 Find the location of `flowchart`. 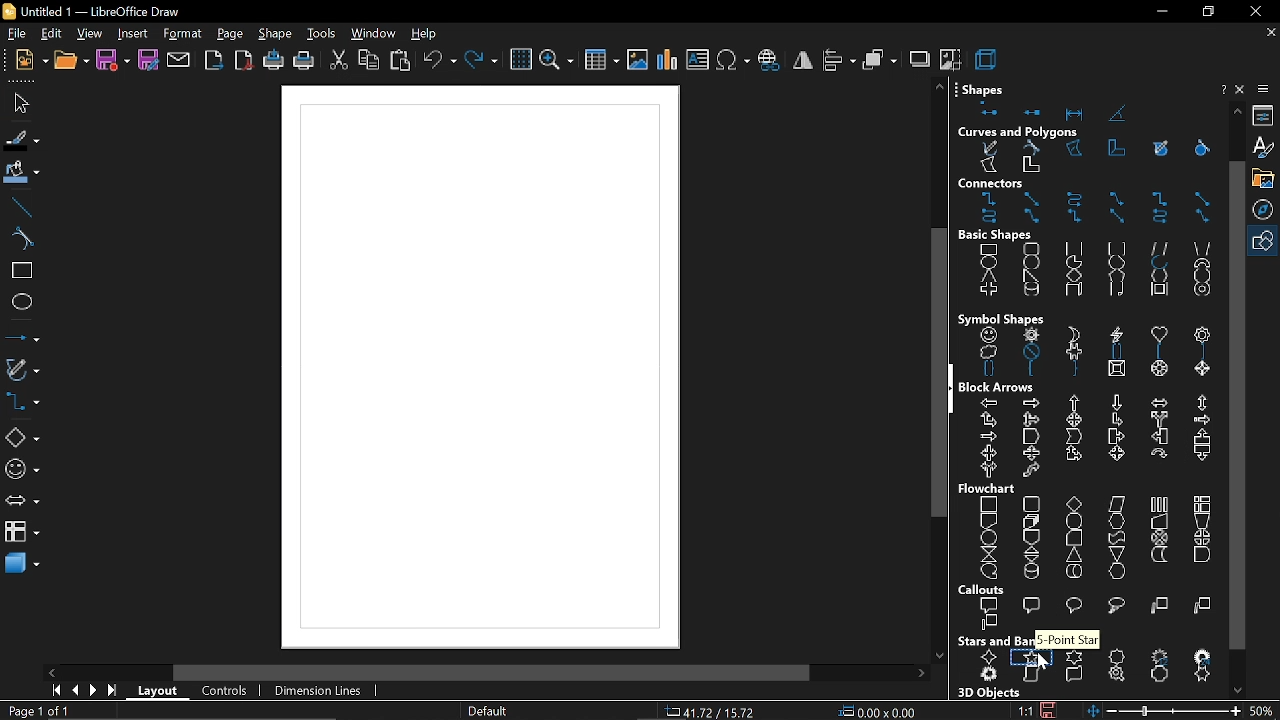

flowchart is located at coordinates (1094, 538).